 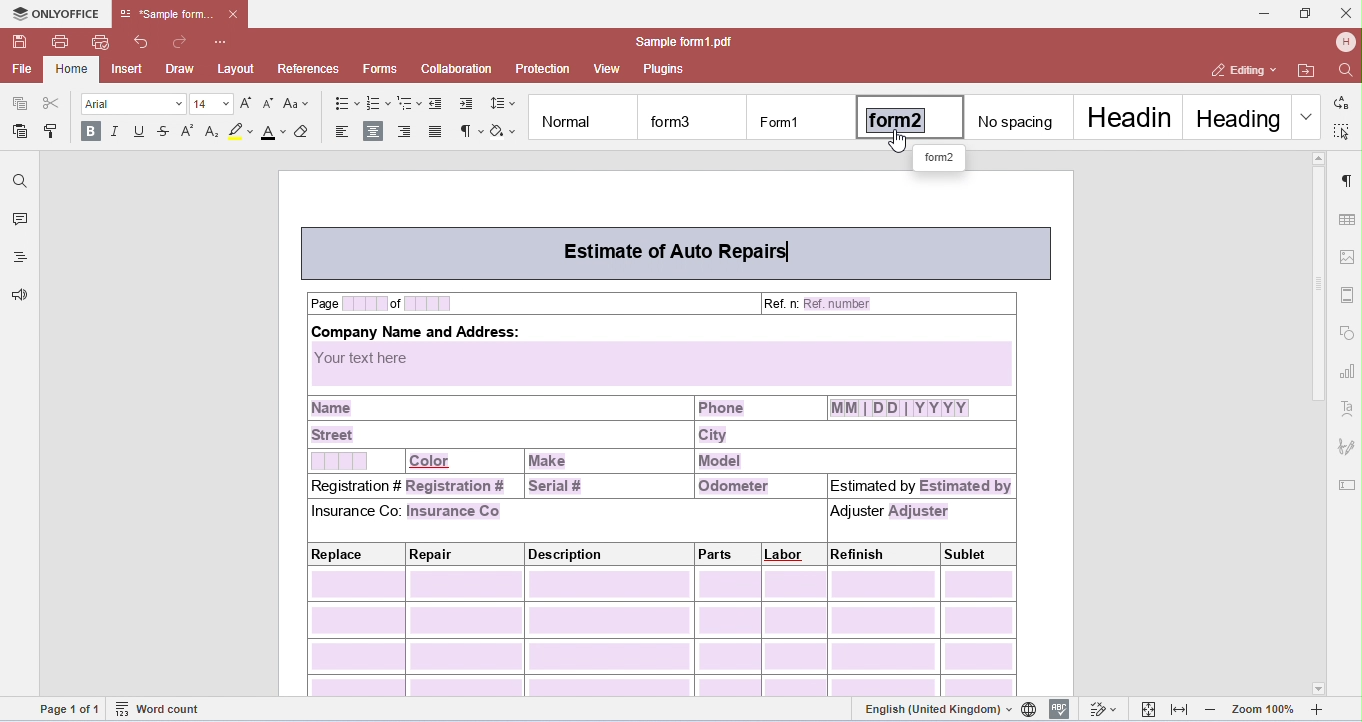 I want to click on strikethrough, so click(x=166, y=134).